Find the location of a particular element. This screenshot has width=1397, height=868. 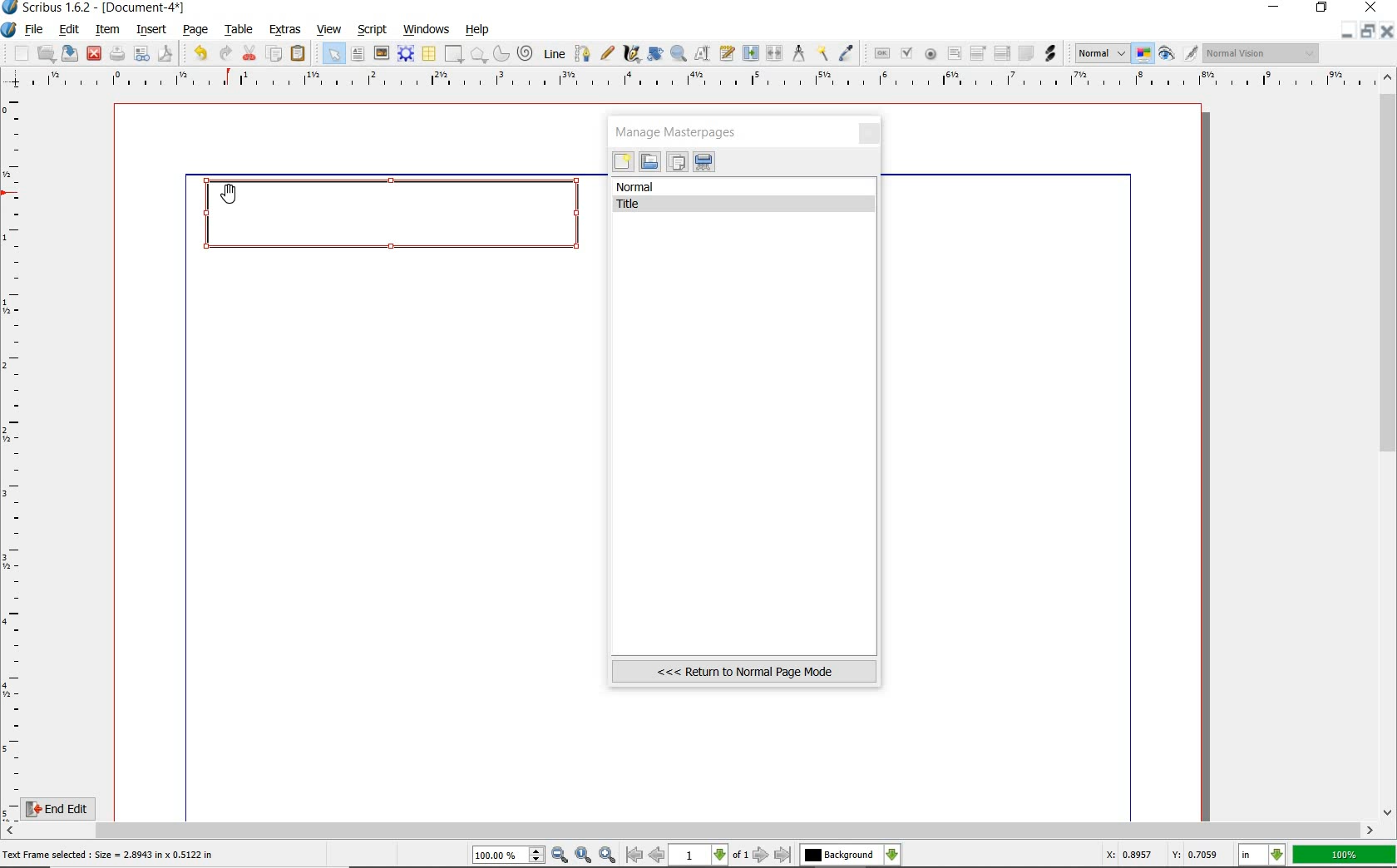

Title is located at coordinates (747, 205).